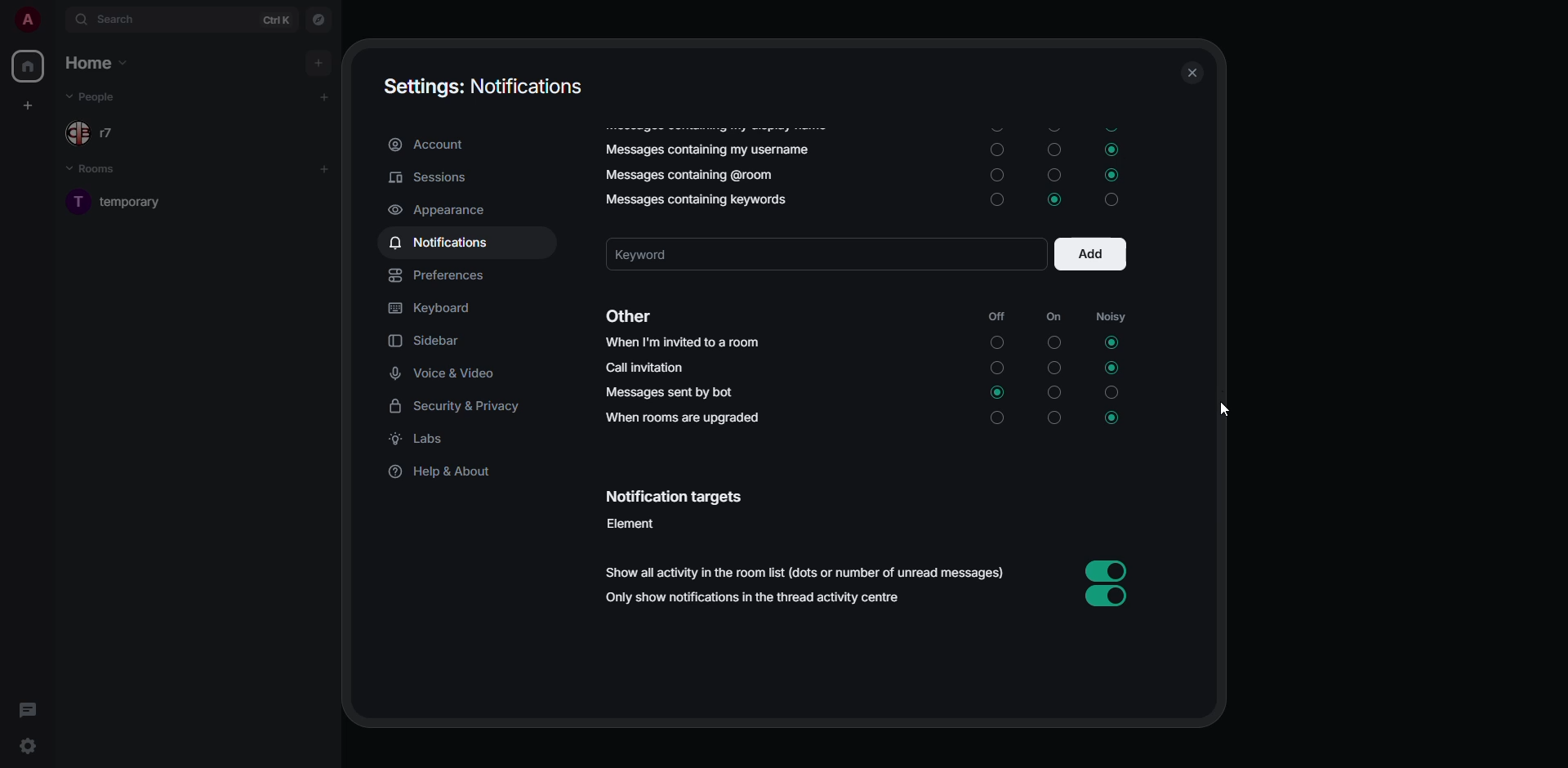  Describe the element at coordinates (28, 67) in the screenshot. I see `home` at that location.